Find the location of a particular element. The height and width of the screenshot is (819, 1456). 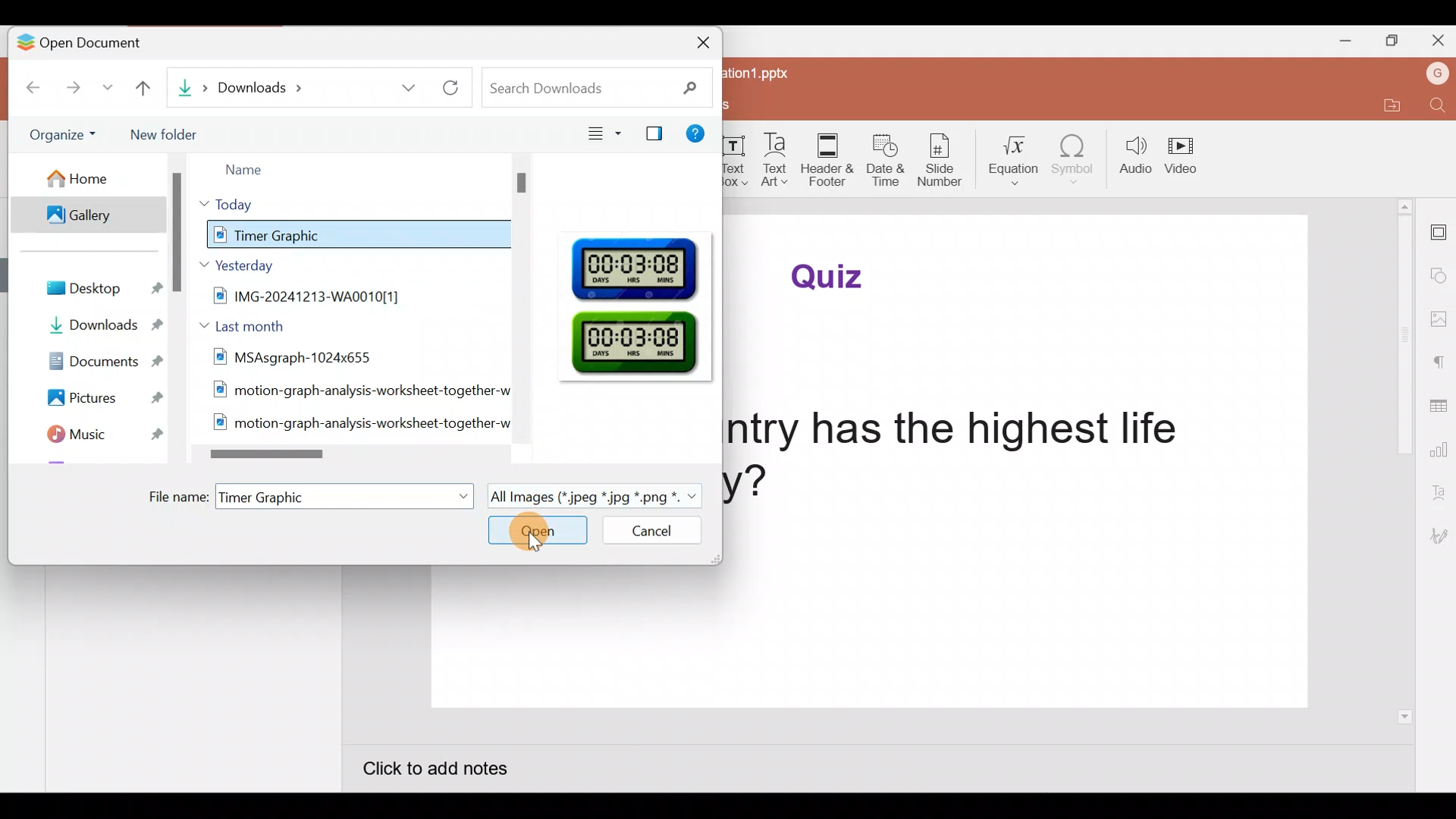

Search downloads is located at coordinates (608, 85).